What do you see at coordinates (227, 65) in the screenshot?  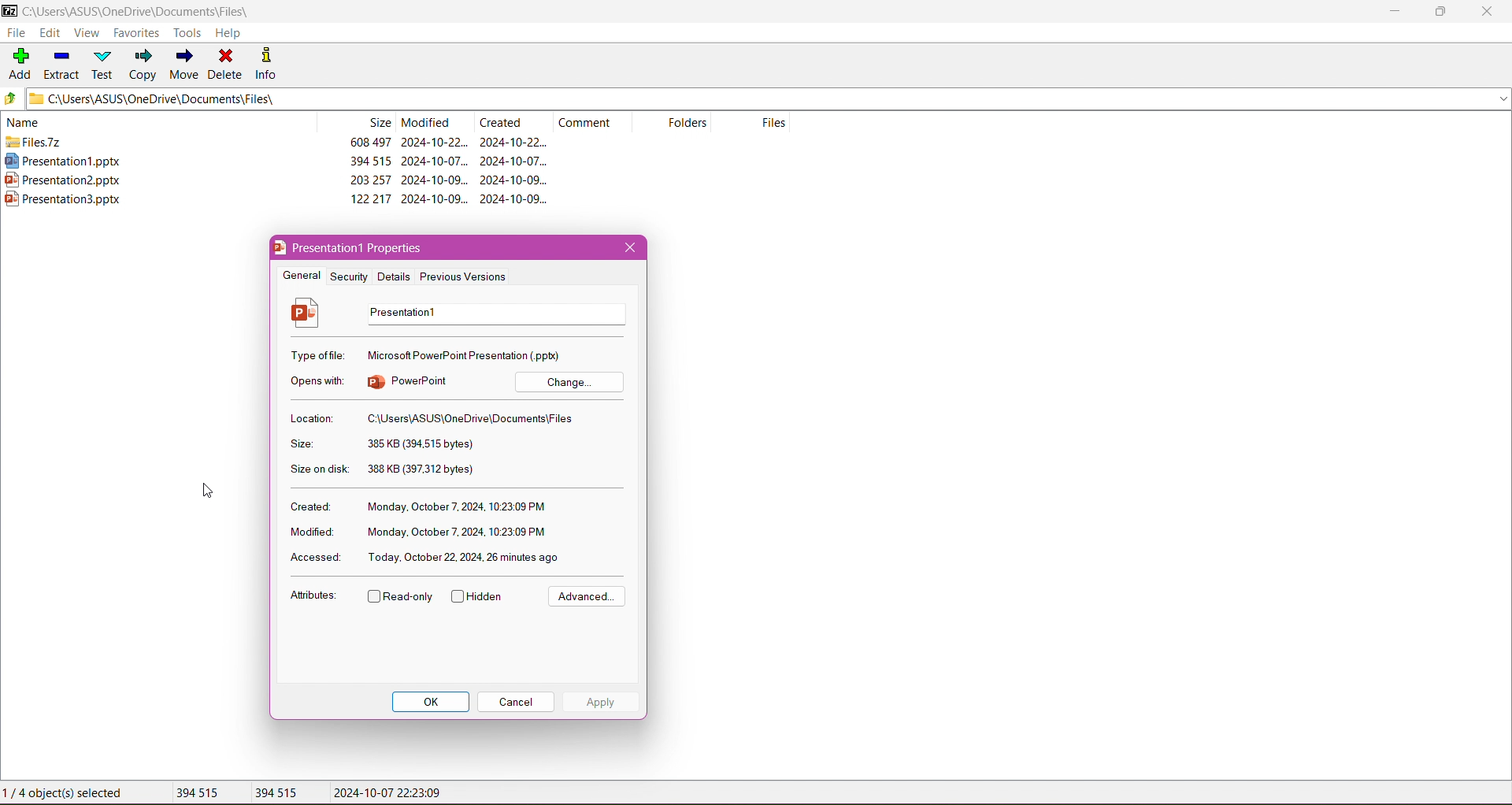 I see `Delete` at bounding box center [227, 65].